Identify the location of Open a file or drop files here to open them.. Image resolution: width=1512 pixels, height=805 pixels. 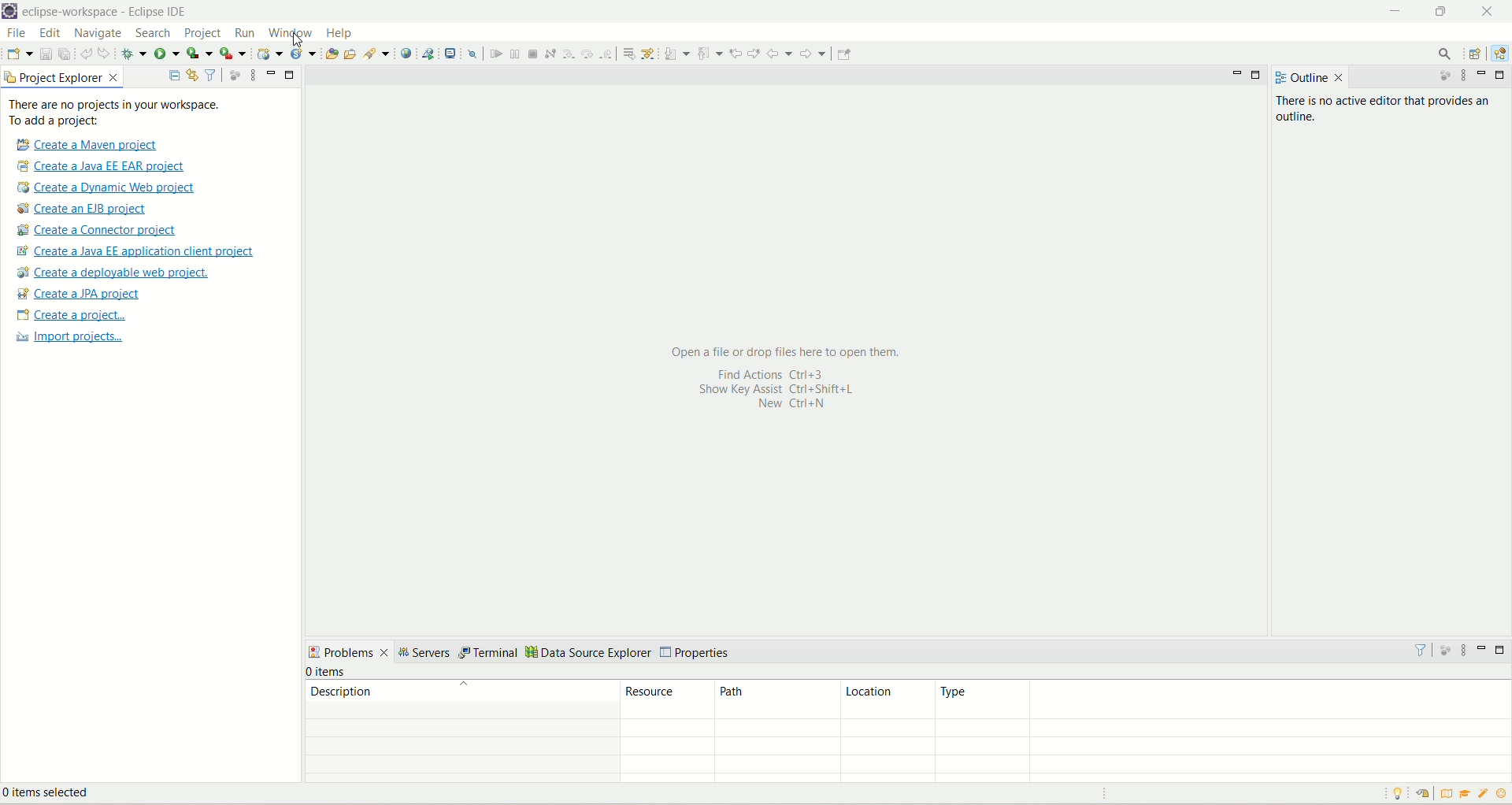
(789, 351).